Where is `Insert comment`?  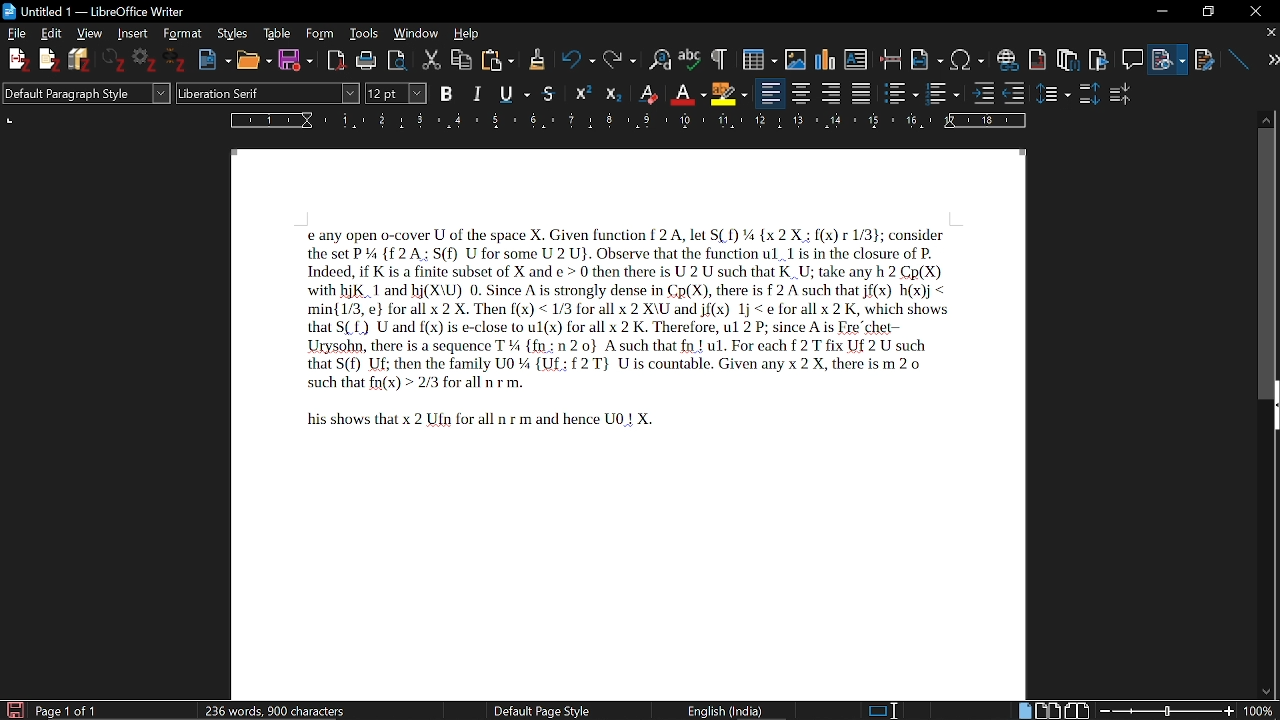
Insert comment is located at coordinates (1131, 55).